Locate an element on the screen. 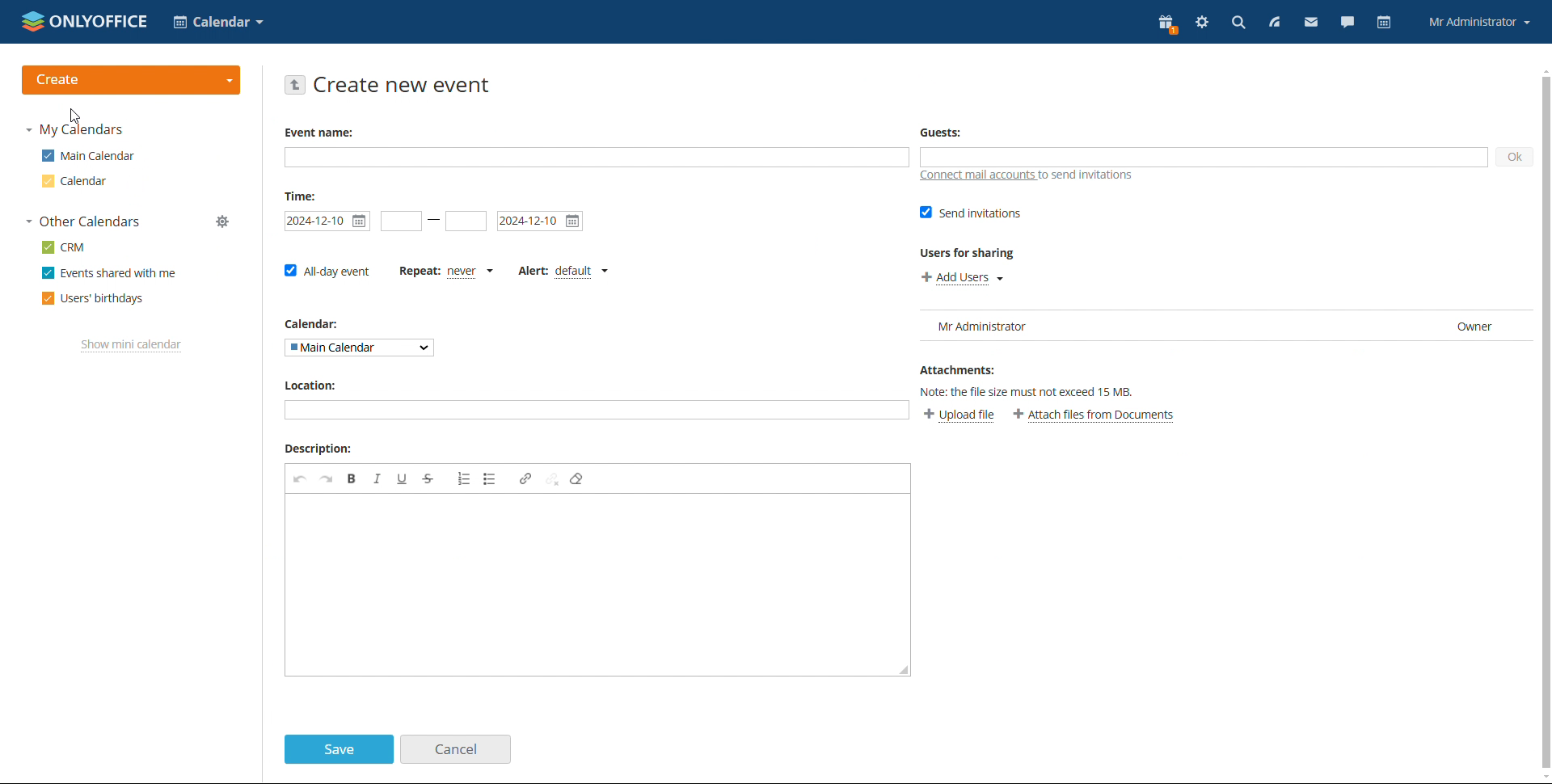 Image resolution: width=1552 pixels, height=784 pixels. mail is located at coordinates (1310, 23).